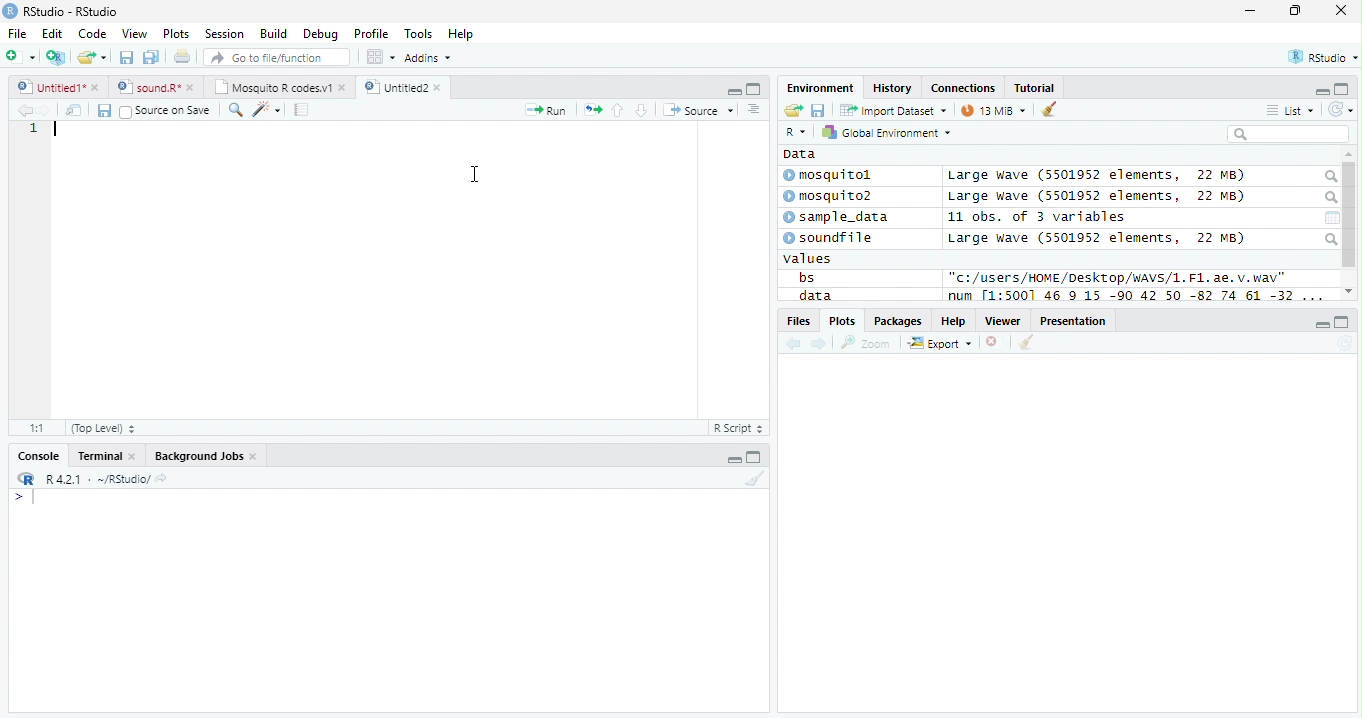 Image resolution: width=1362 pixels, height=718 pixels. Describe the element at coordinates (1035, 89) in the screenshot. I see `Tutorial` at that location.